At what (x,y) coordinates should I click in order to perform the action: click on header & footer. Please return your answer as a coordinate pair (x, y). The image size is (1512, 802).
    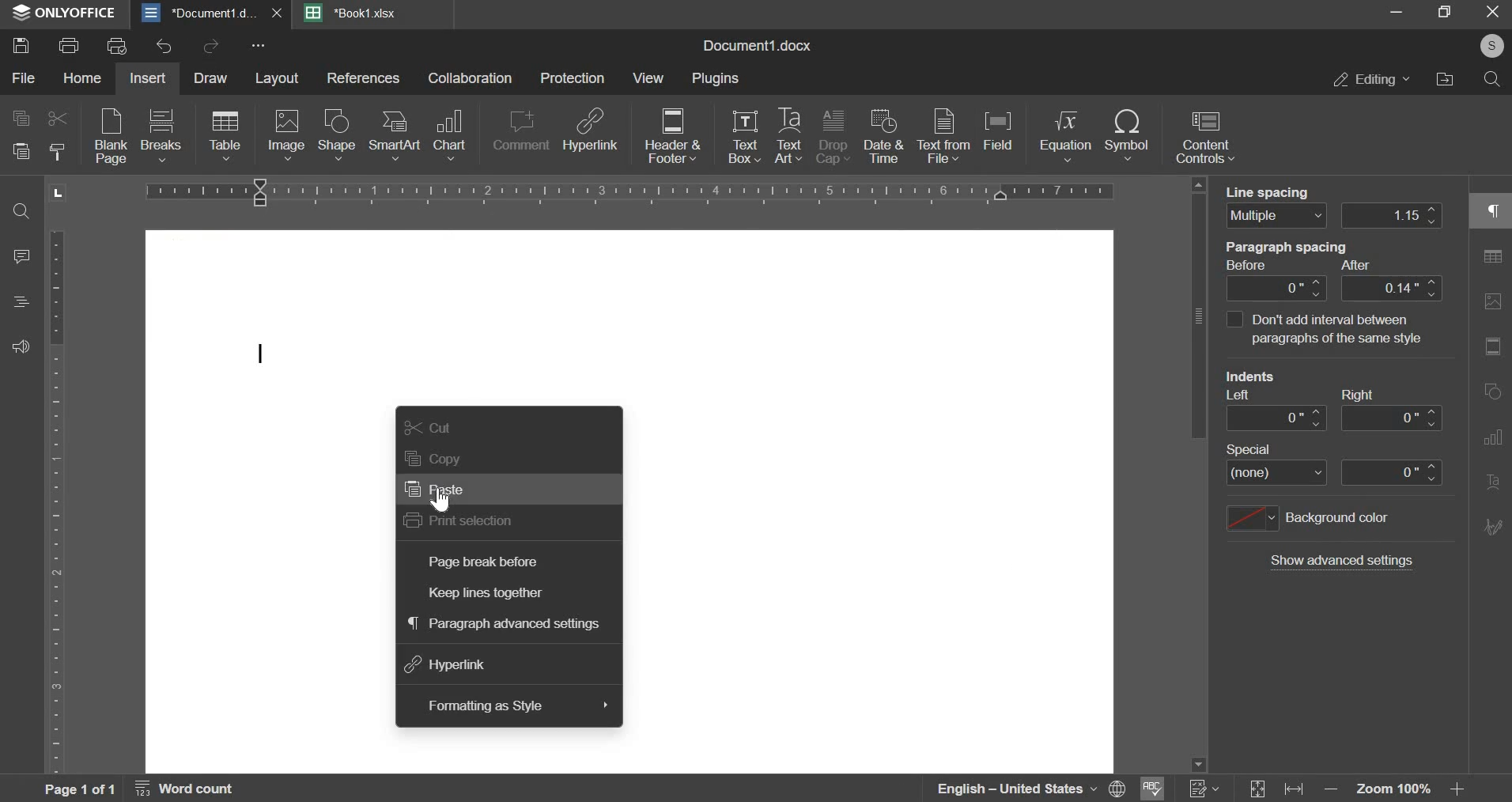
    Looking at the image, I should click on (671, 138).